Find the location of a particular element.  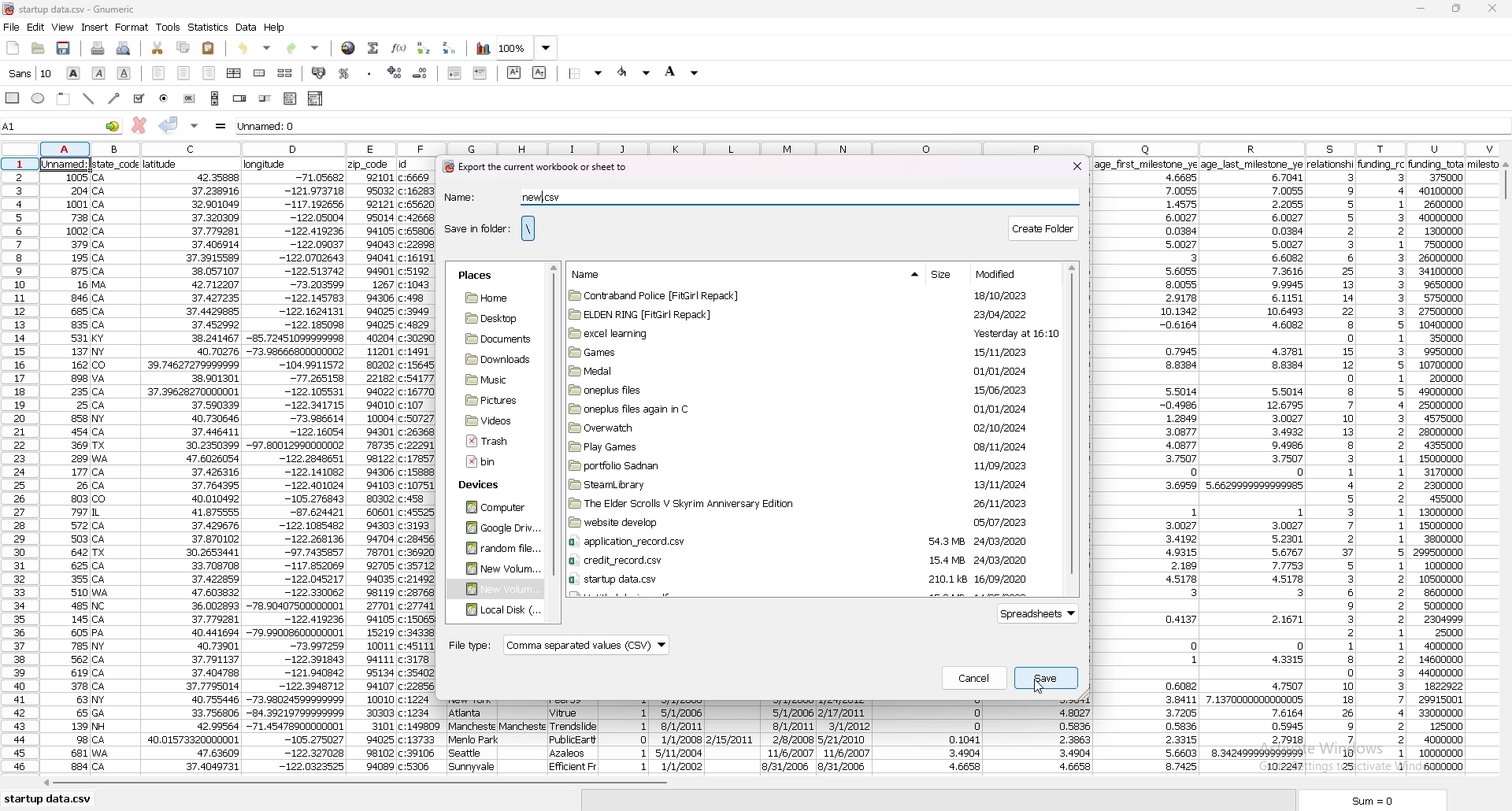

spin button is located at coordinates (239, 99).